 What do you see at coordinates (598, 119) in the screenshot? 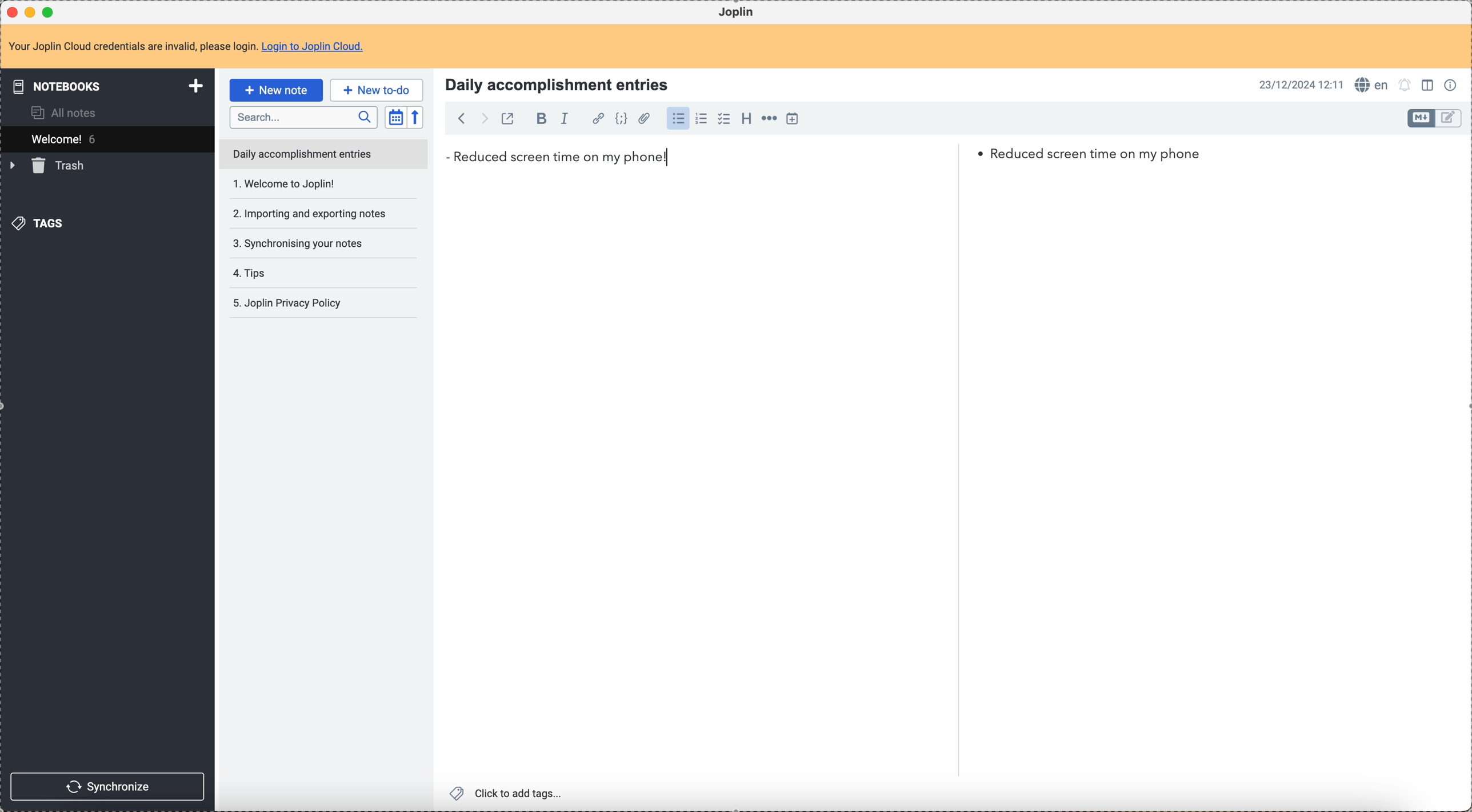
I see `hyperlink` at bounding box center [598, 119].